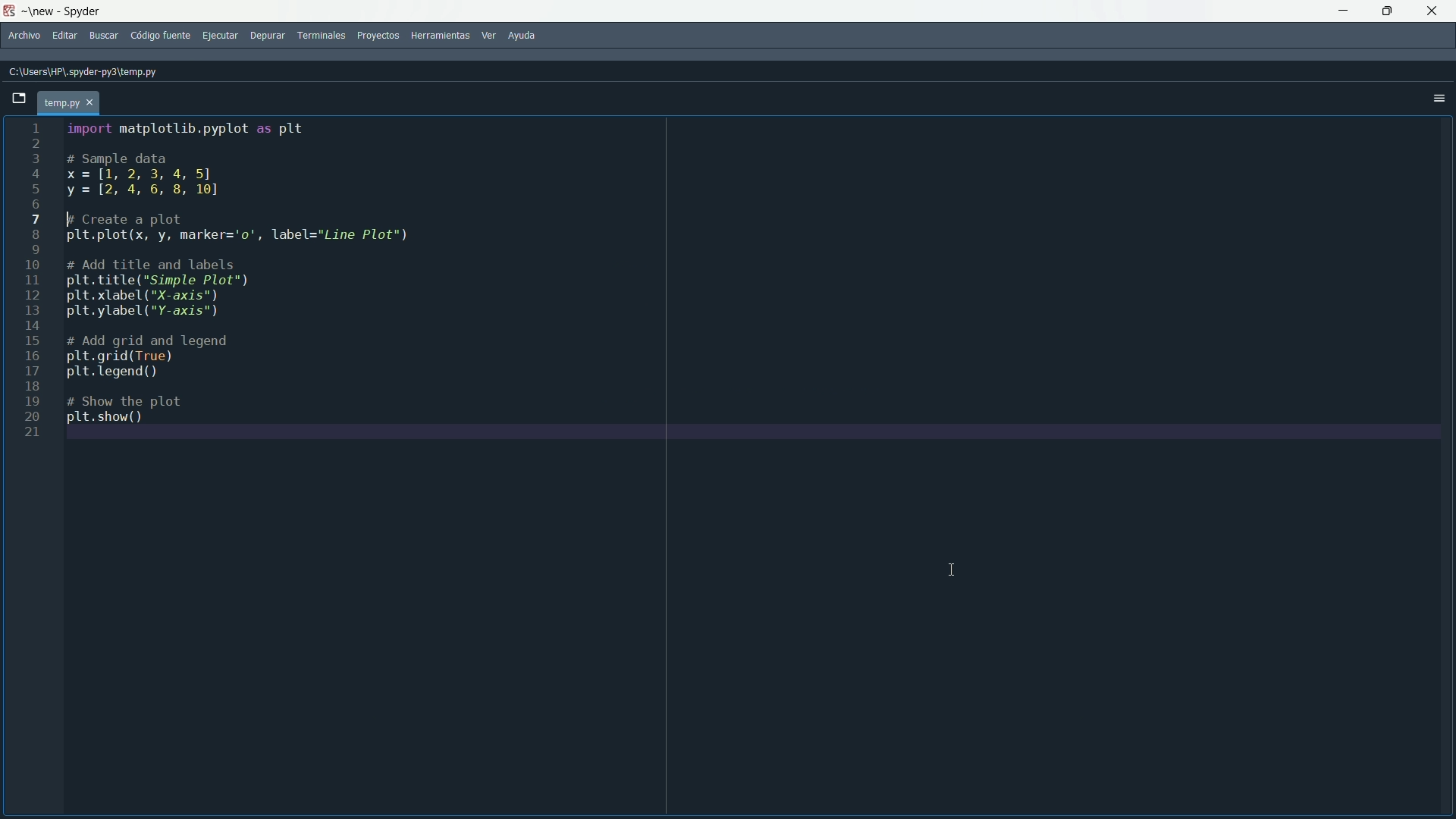 The width and height of the screenshot is (1456, 819). Describe the element at coordinates (39, 12) in the screenshot. I see `folder name` at that location.